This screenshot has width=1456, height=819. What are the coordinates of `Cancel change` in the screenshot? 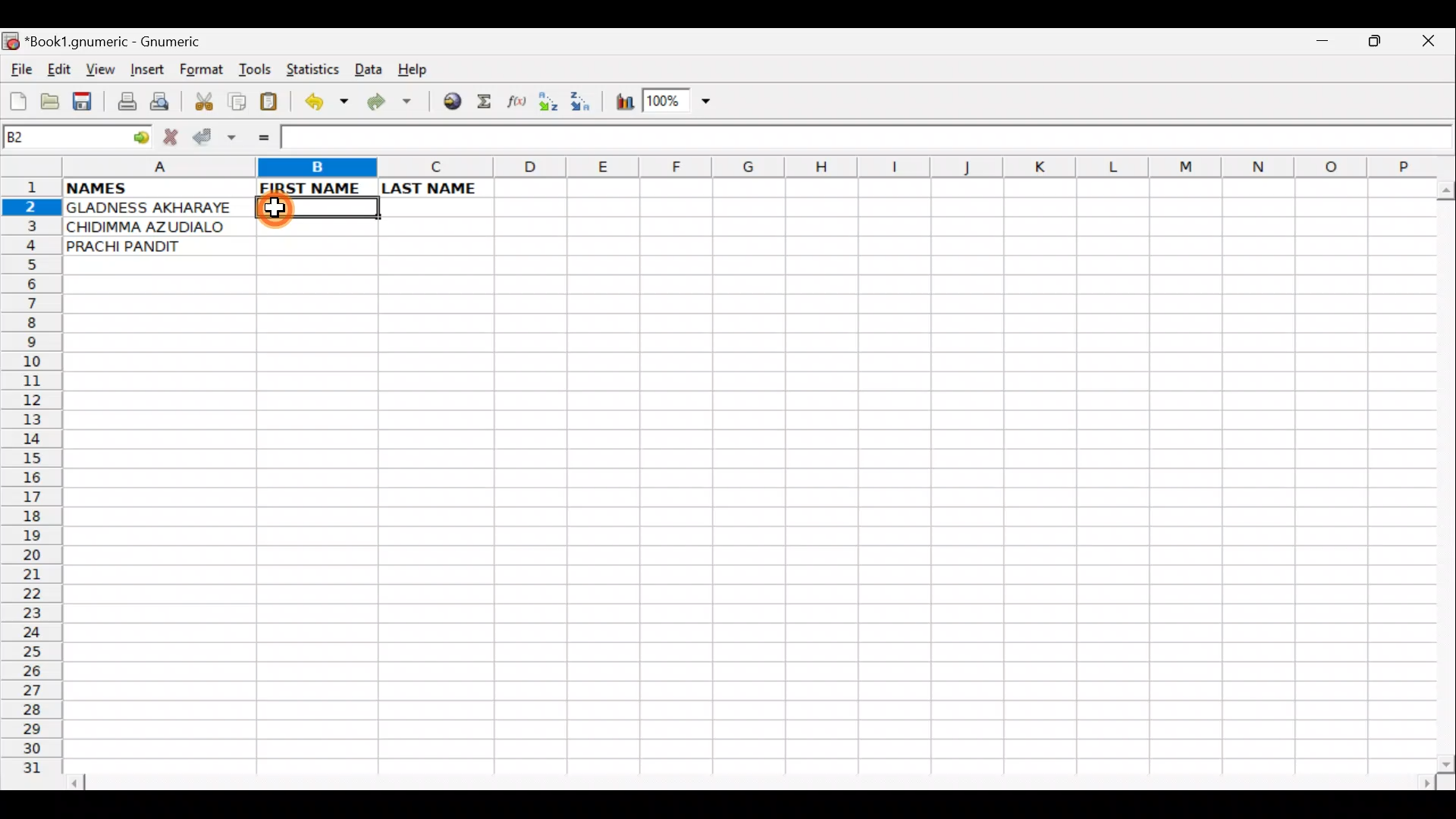 It's located at (174, 134).